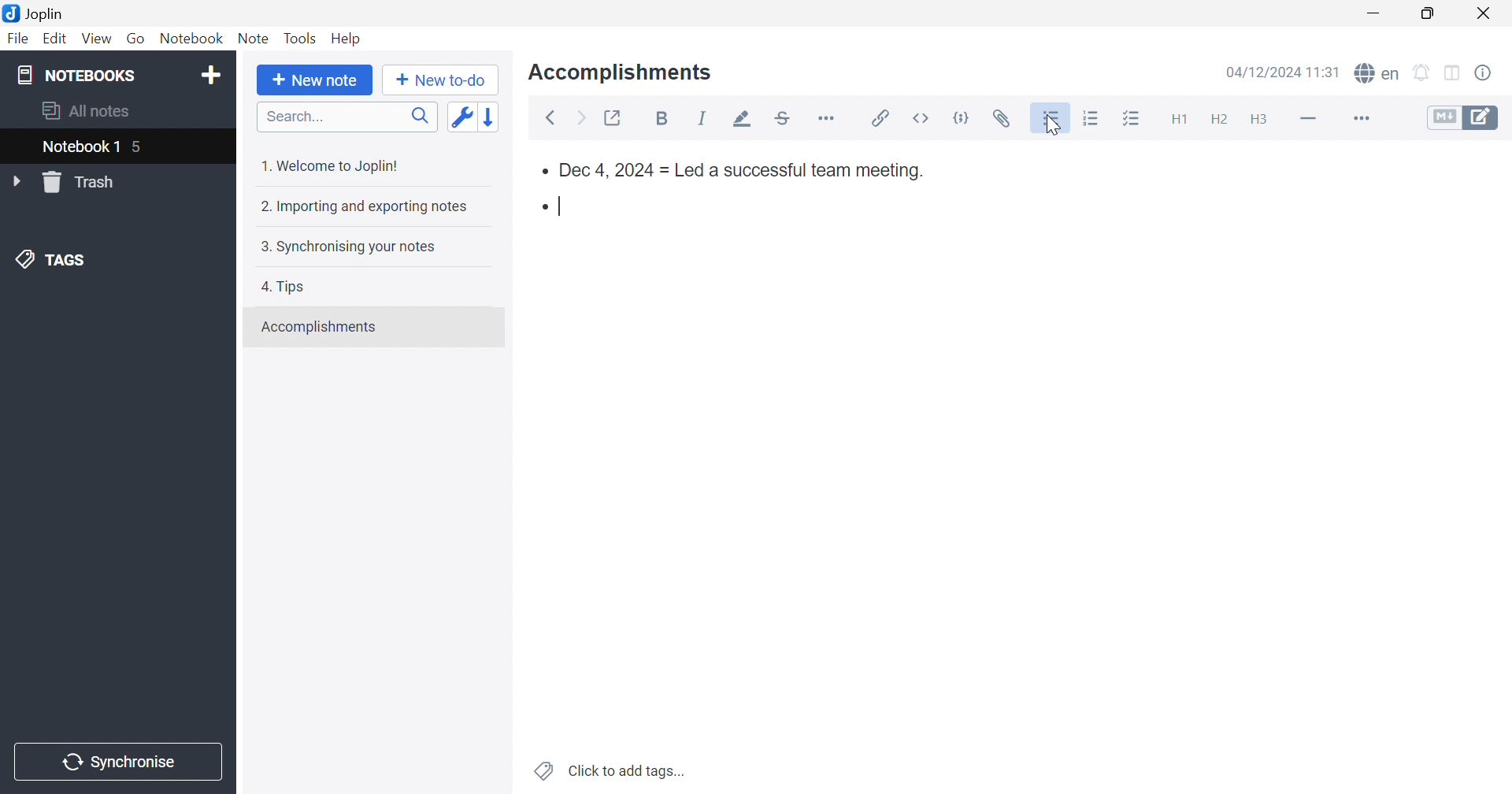 This screenshot has width=1512, height=794. What do you see at coordinates (73, 73) in the screenshot?
I see `NOTEBOOKS` at bounding box center [73, 73].